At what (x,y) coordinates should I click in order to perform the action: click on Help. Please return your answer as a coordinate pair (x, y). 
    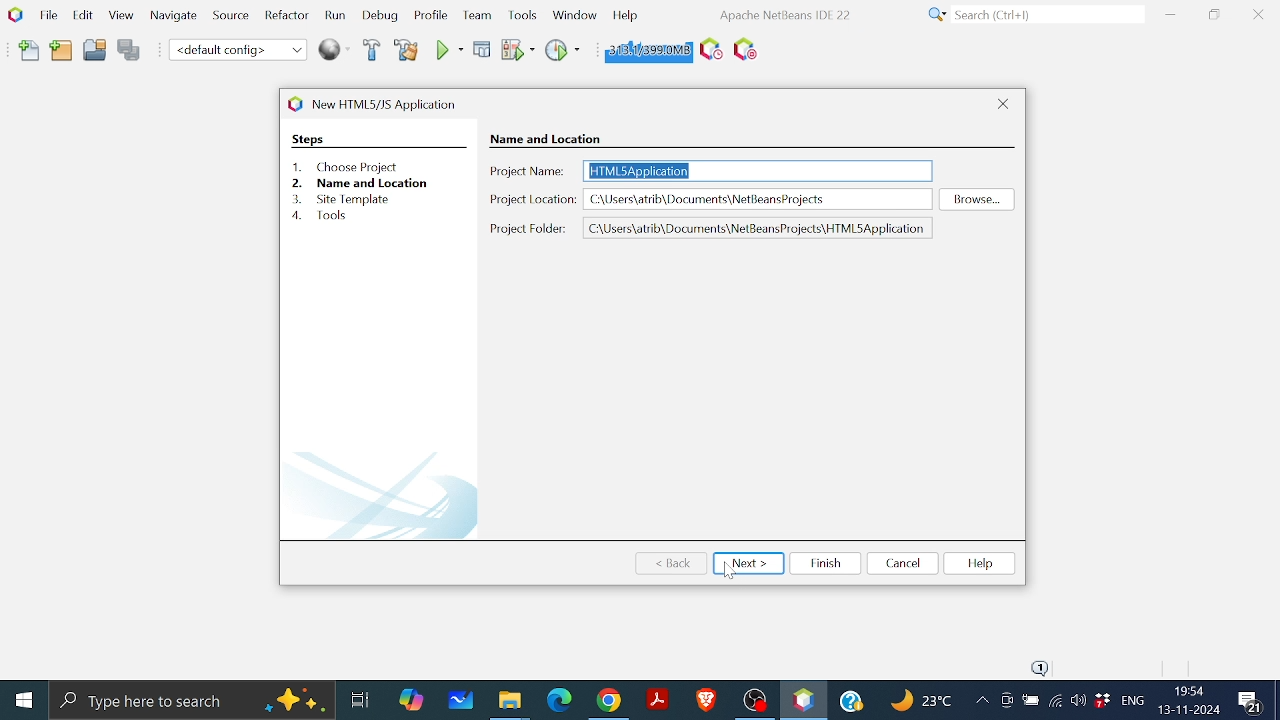
    Looking at the image, I should click on (979, 563).